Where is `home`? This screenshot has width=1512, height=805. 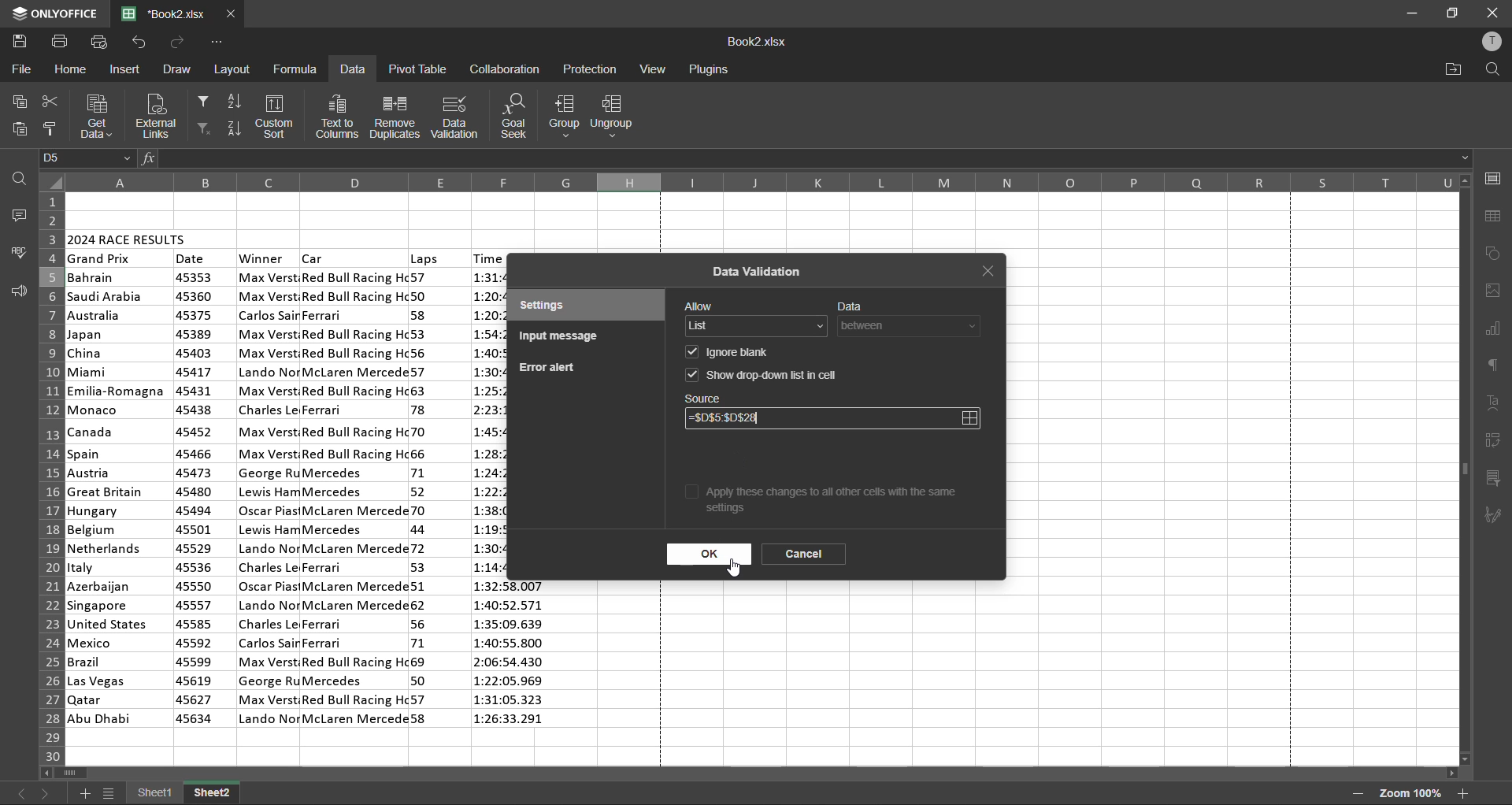 home is located at coordinates (71, 71).